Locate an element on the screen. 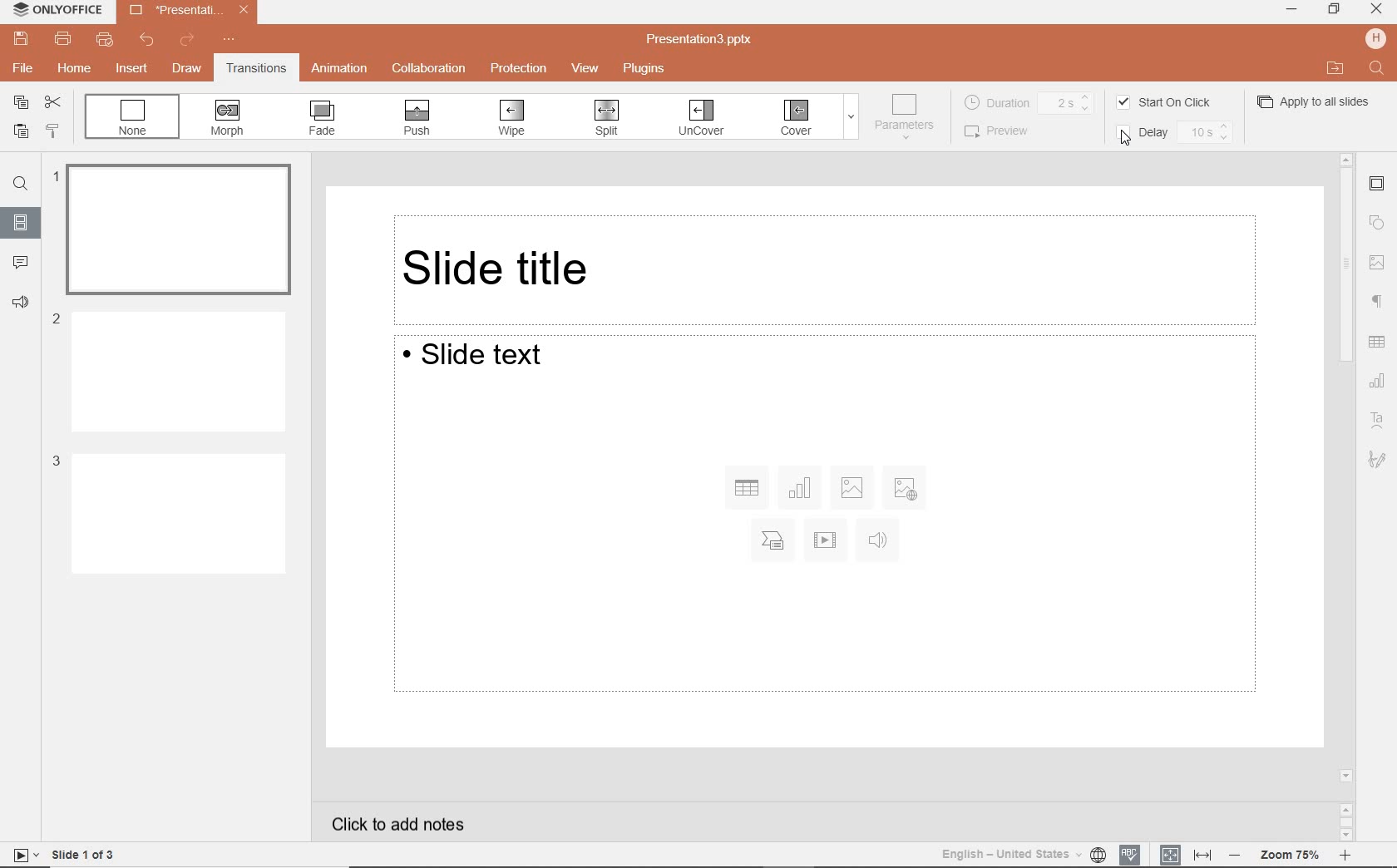 This screenshot has height=868, width=1397. EXPAND is located at coordinates (851, 120).